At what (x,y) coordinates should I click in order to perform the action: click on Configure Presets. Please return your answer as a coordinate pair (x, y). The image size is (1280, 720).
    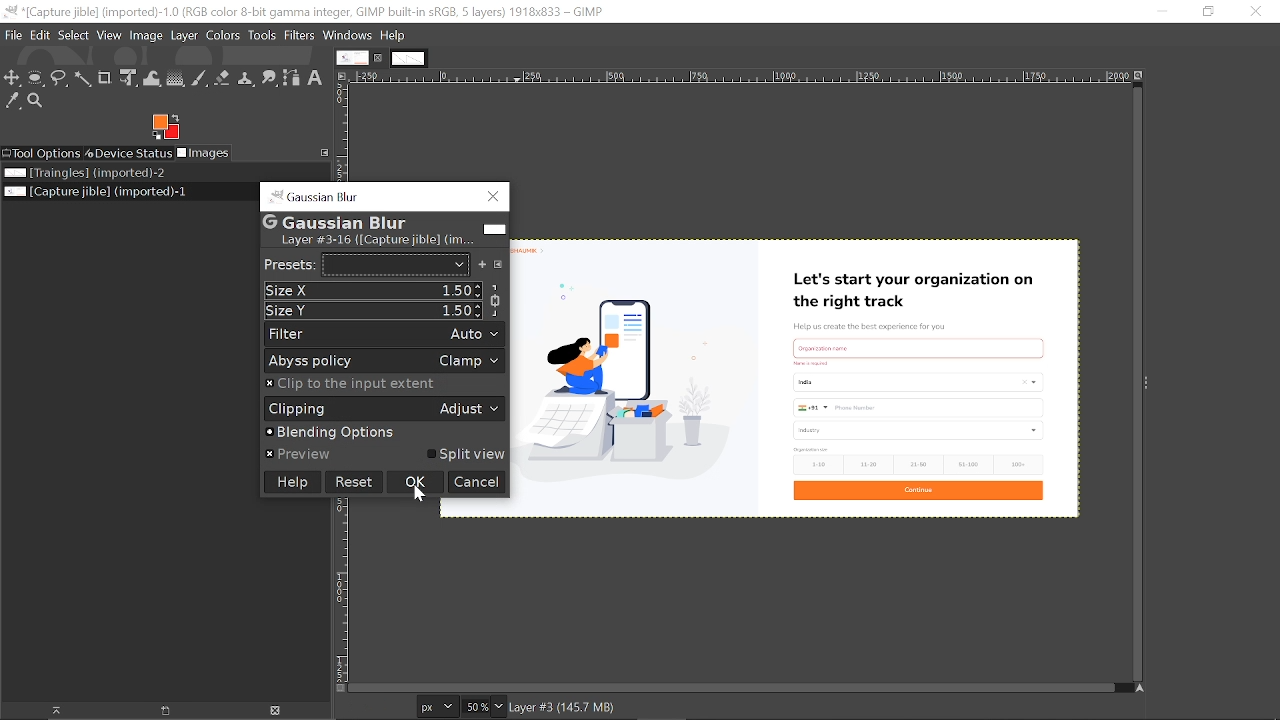
    Looking at the image, I should click on (498, 264).